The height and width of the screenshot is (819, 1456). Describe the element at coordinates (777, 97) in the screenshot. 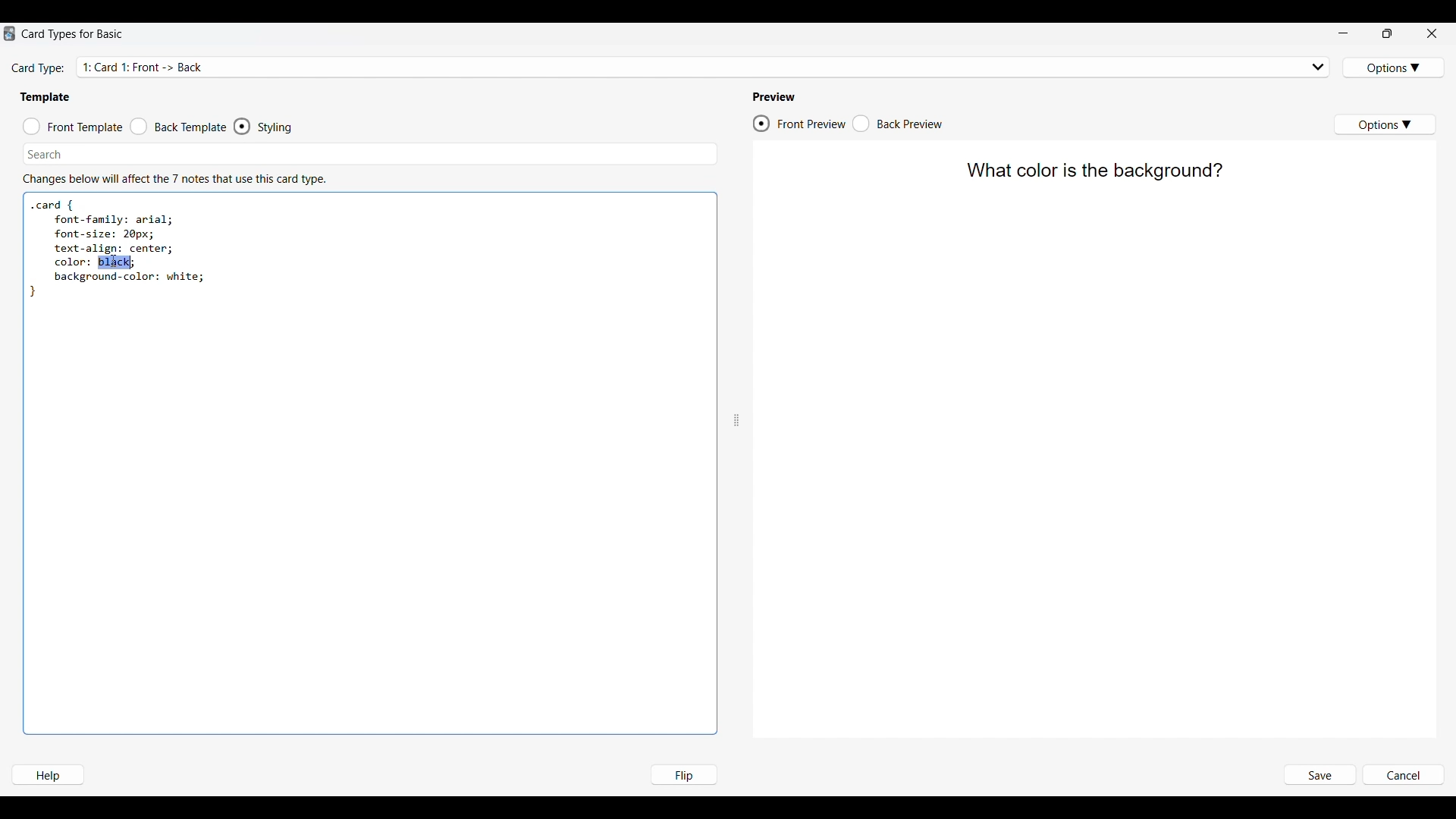

I see `Indicates Preview section` at that location.